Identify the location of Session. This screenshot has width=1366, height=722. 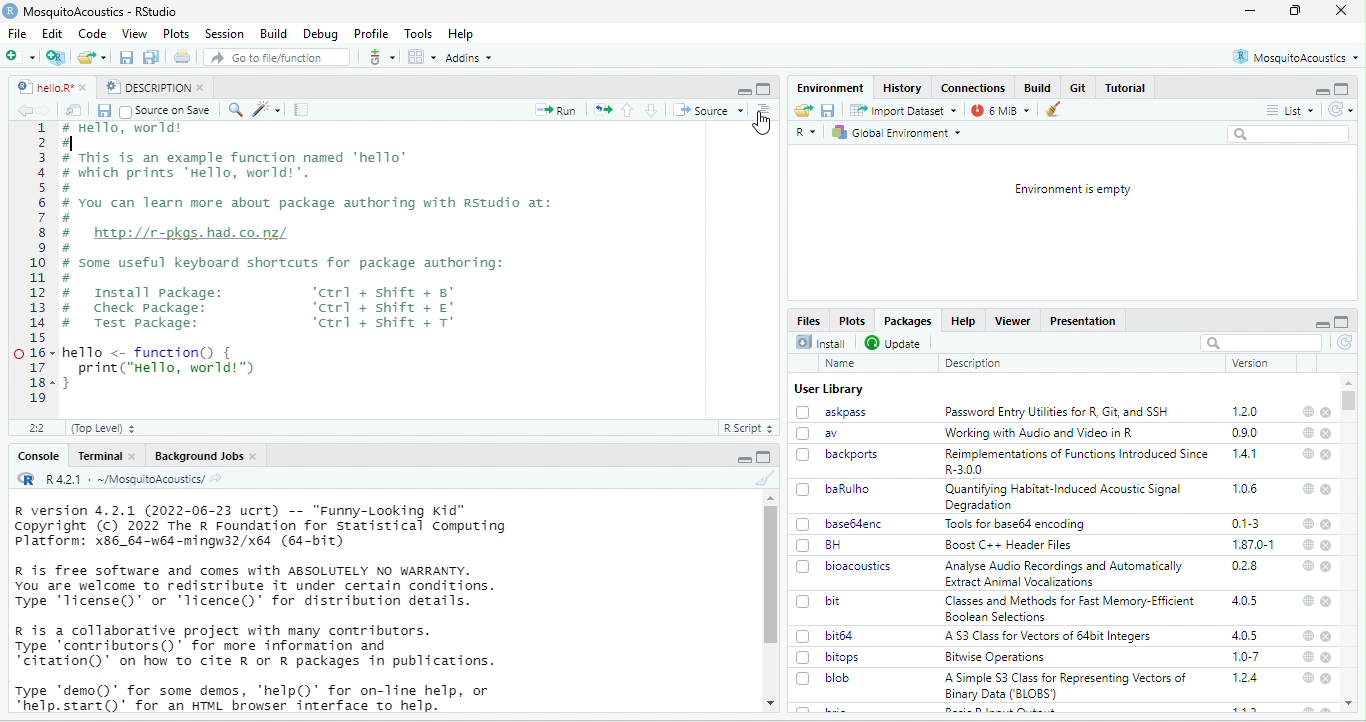
(224, 34).